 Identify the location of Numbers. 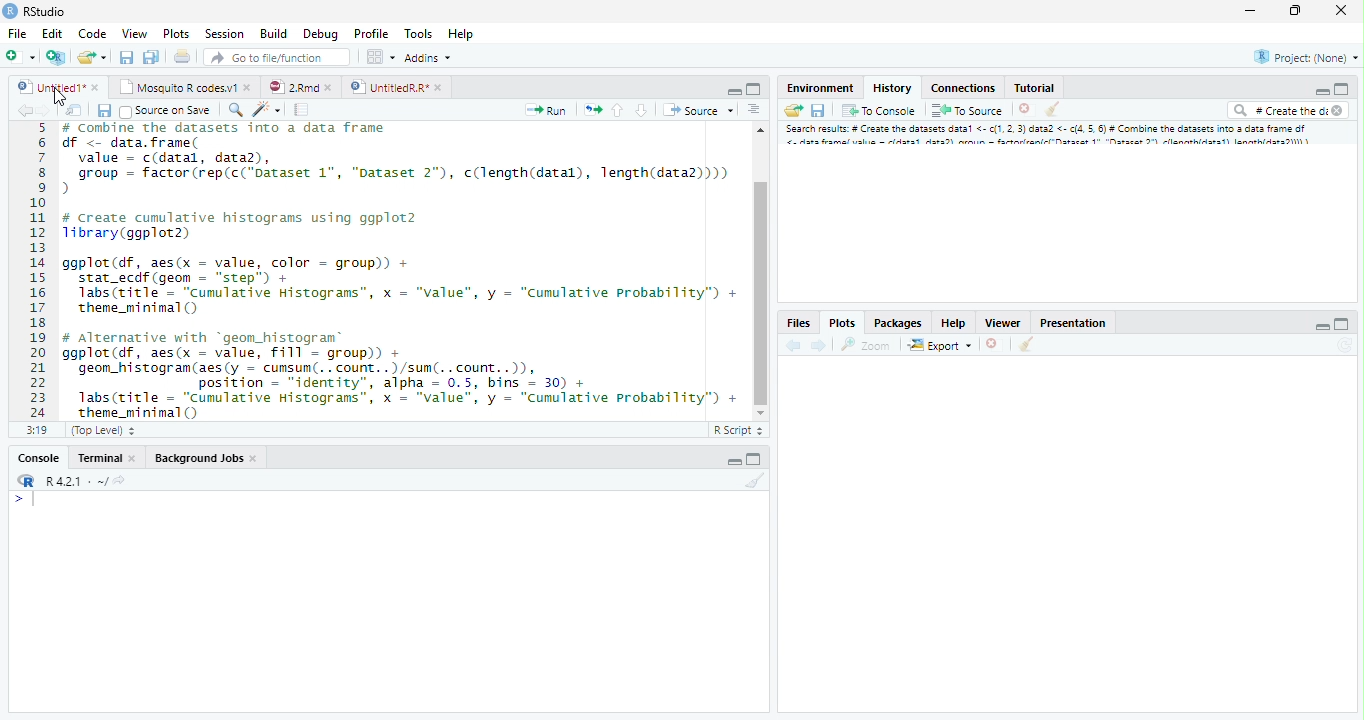
(40, 269).